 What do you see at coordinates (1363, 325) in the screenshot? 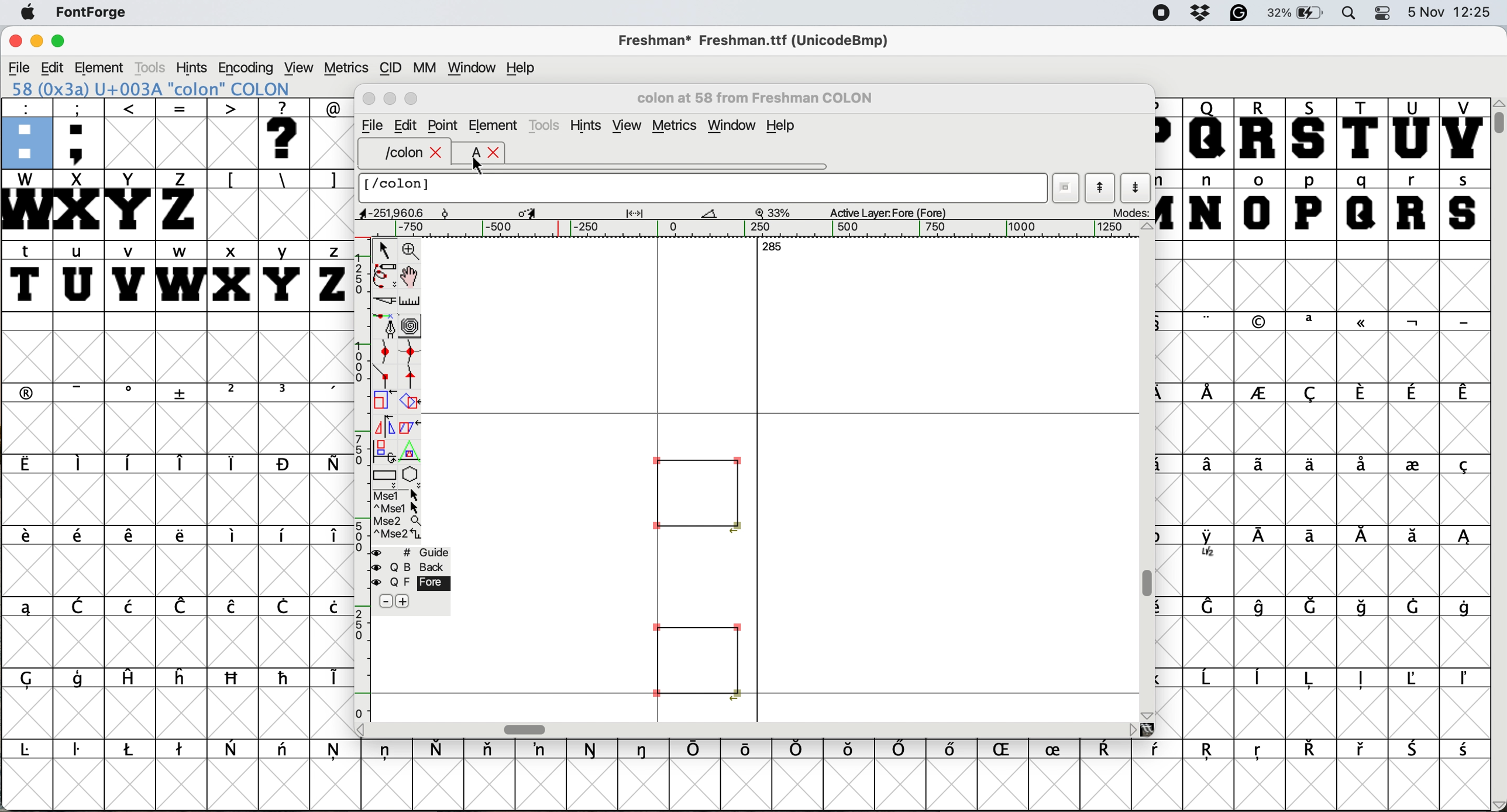
I see `symbol` at bounding box center [1363, 325].